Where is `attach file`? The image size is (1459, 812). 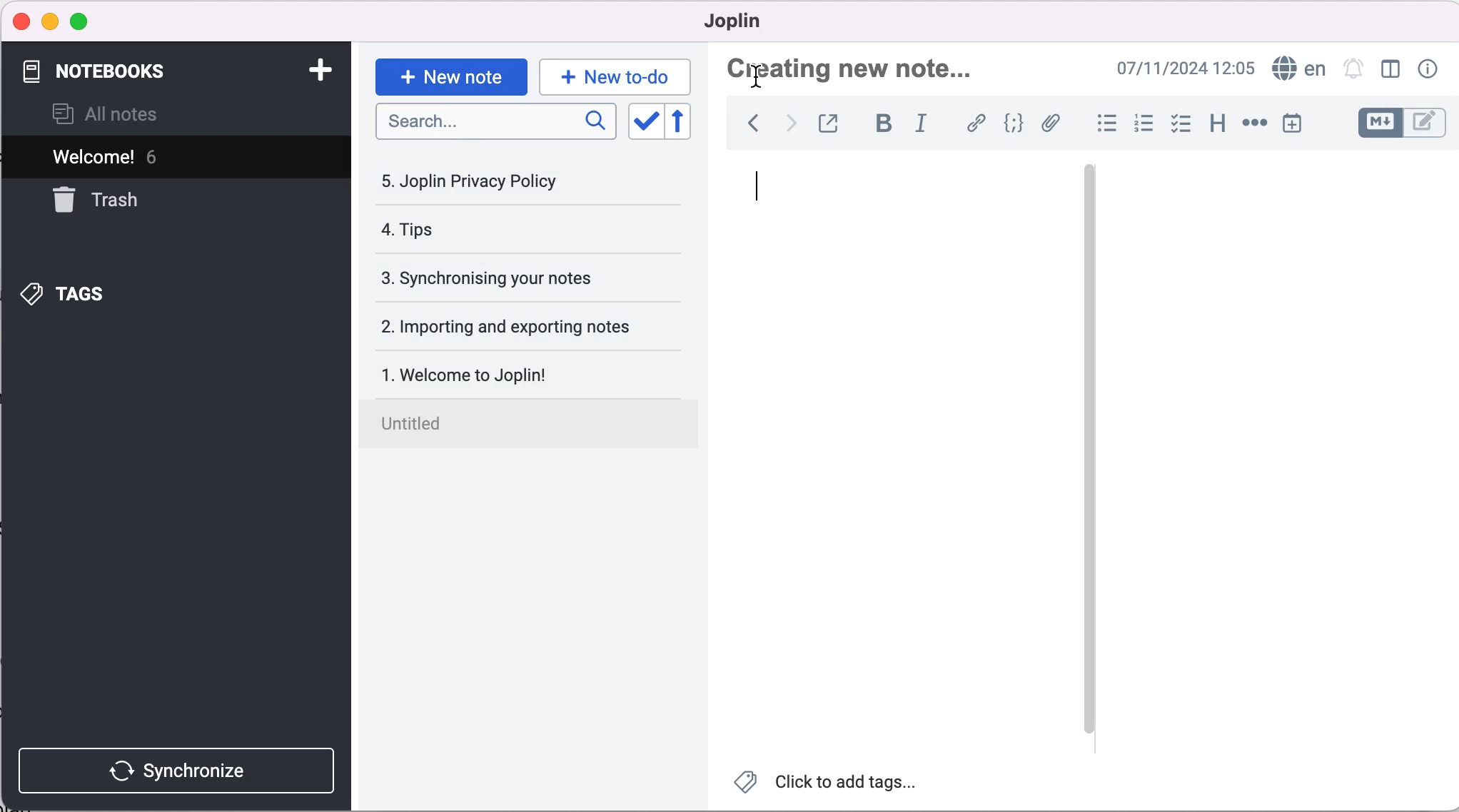 attach file is located at coordinates (1051, 123).